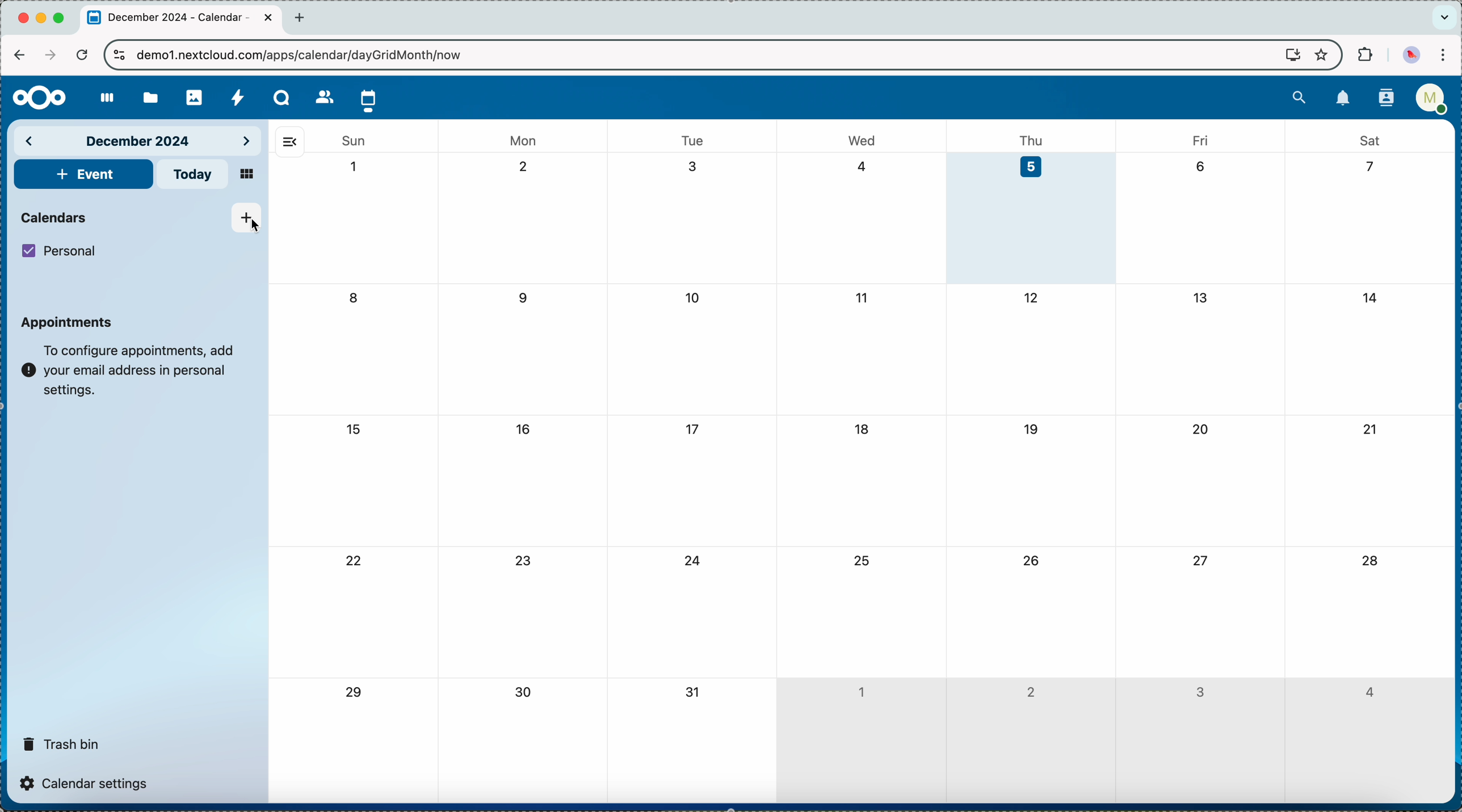  What do you see at coordinates (352, 429) in the screenshot?
I see `15` at bounding box center [352, 429].